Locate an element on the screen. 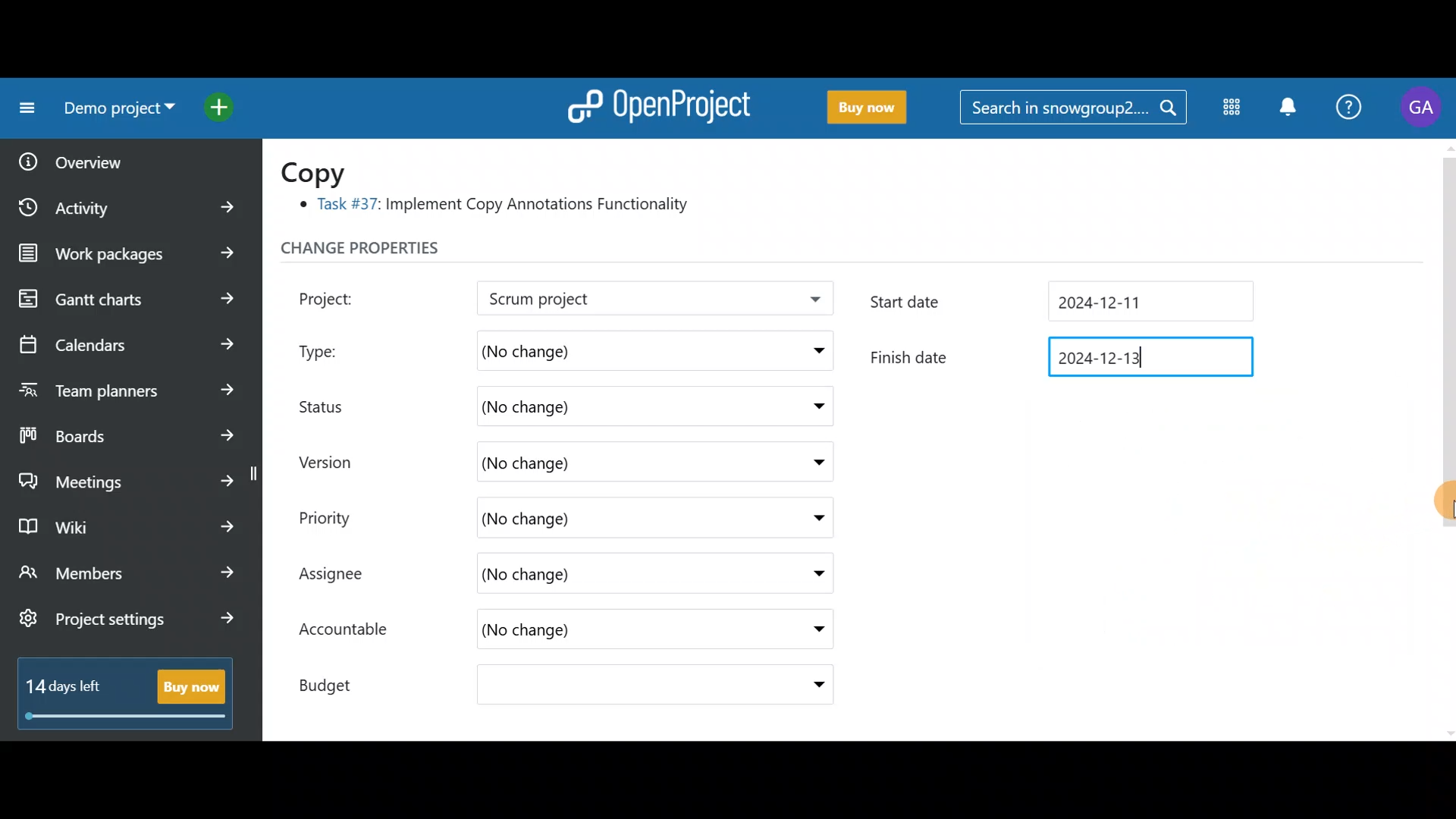 The height and width of the screenshot is (819, 1456). Version drop down is located at coordinates (811, 461).